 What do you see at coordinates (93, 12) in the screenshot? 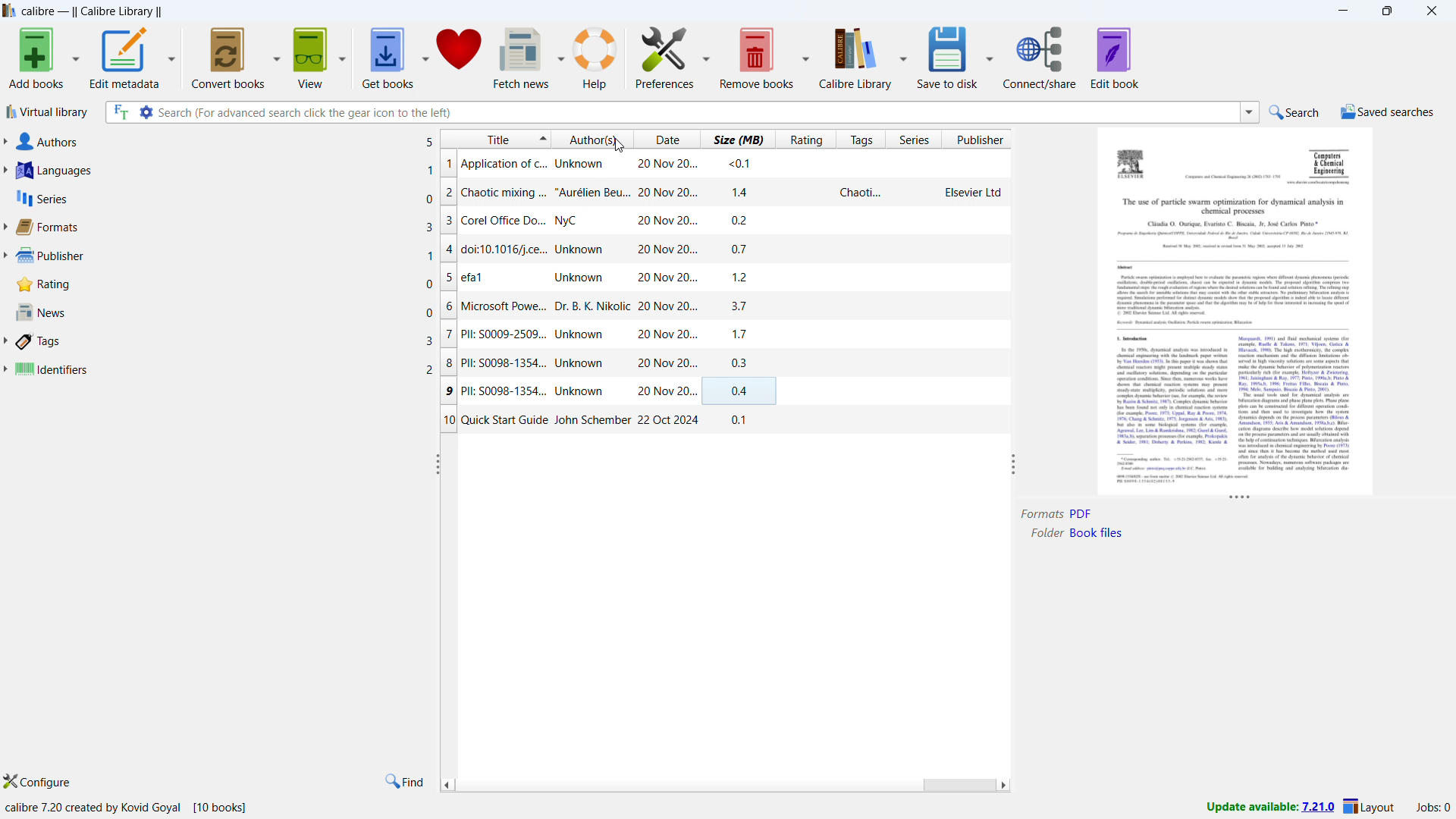
I see `Calibre - || Calibre Library ||` at bounding box center [93, 12].